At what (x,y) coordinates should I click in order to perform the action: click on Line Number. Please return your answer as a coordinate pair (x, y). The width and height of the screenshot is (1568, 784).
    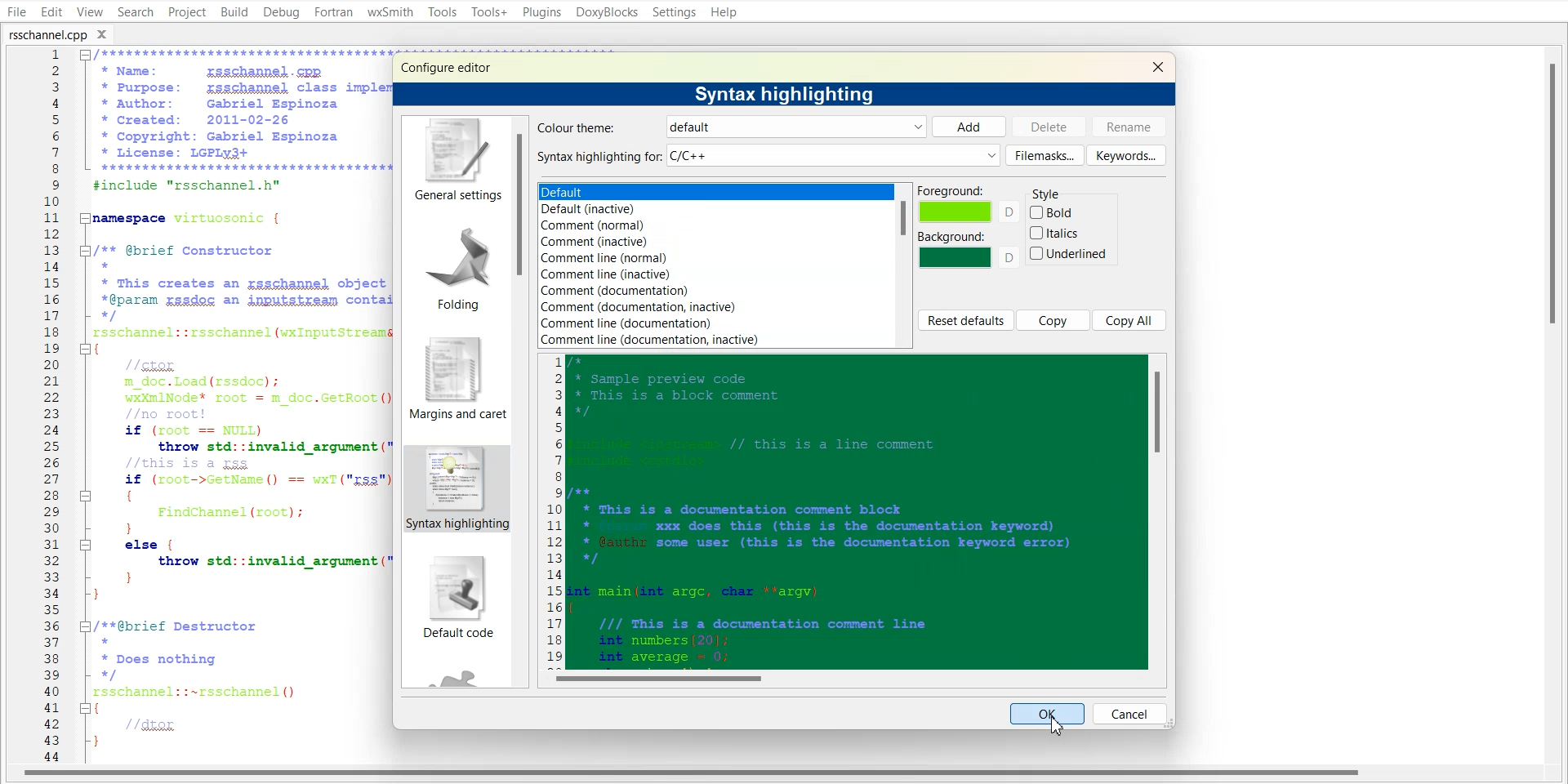
    Looking at the image, I should click on (39, 406).